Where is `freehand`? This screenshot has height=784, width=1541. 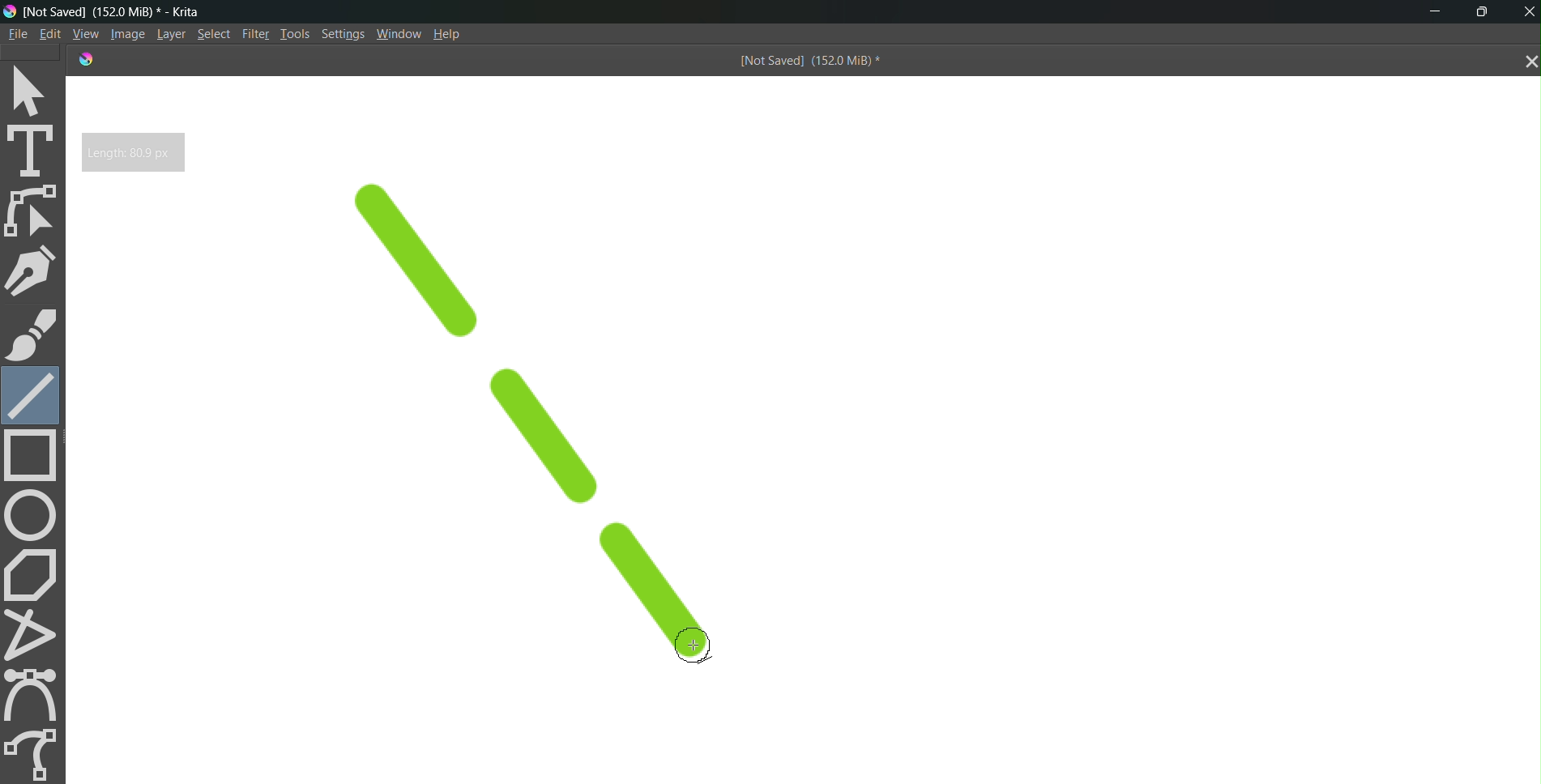
freehand is located at coordinates (34, 752).